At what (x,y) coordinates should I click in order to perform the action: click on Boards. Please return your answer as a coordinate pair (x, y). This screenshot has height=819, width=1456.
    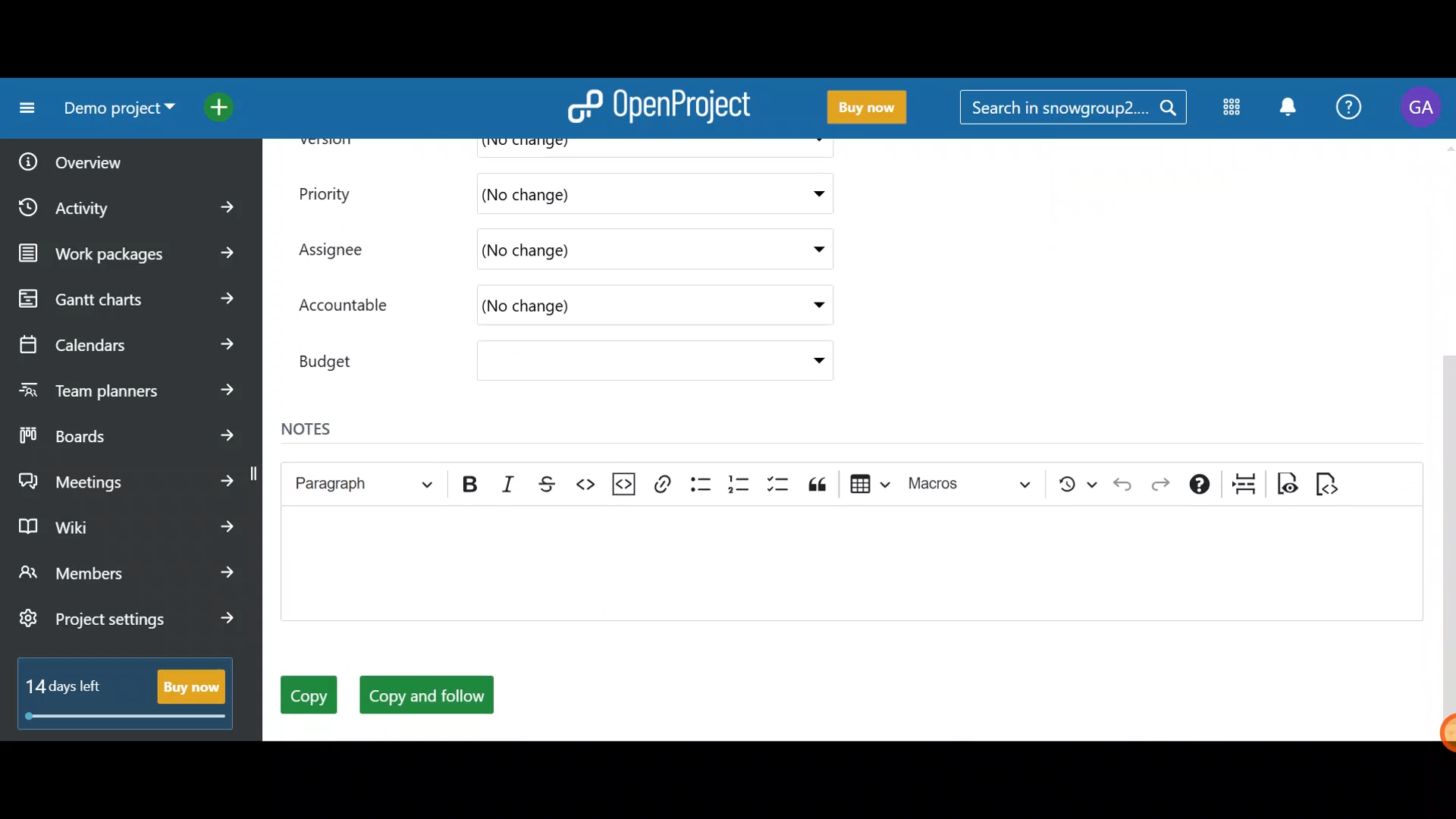
    Looking at the image, I should click on (128, 431).